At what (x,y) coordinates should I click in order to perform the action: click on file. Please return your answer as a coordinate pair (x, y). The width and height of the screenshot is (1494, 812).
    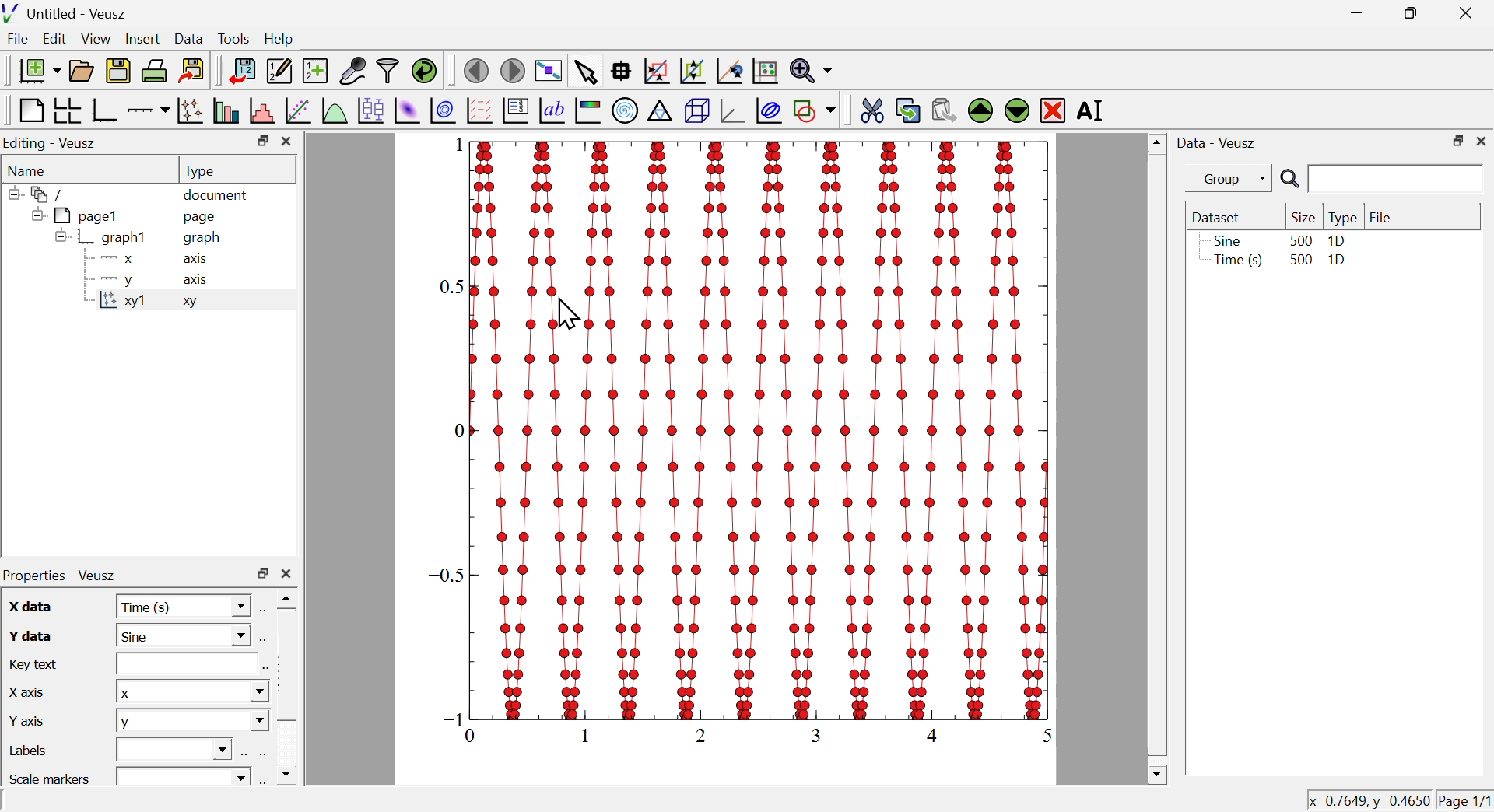
    Looking at the image, I should click on (19, 40).